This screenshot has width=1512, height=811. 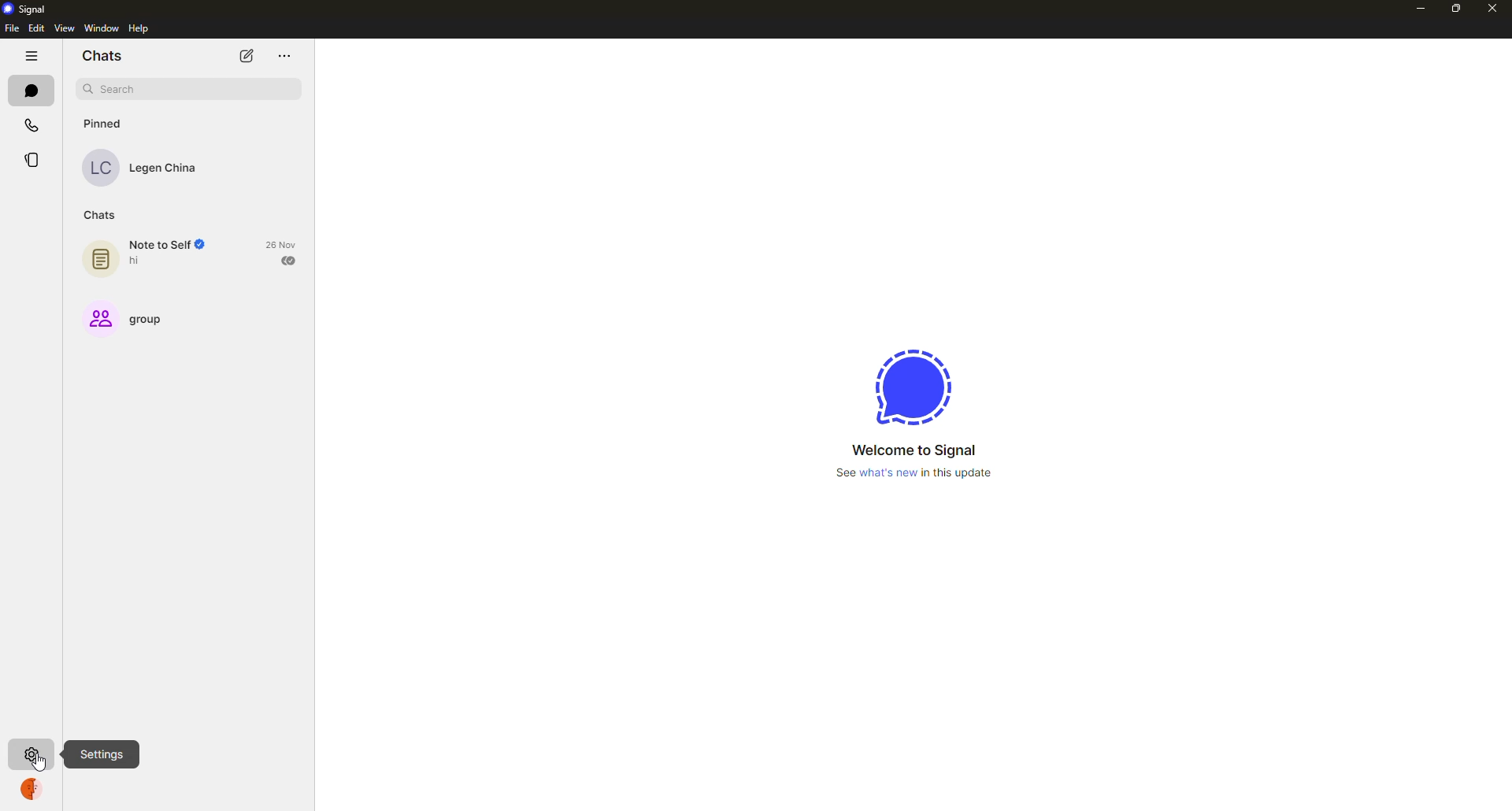 What do you see at coordinates (39, 28) in the screenshot?
I see `edit` at bounding box center [39, 28].